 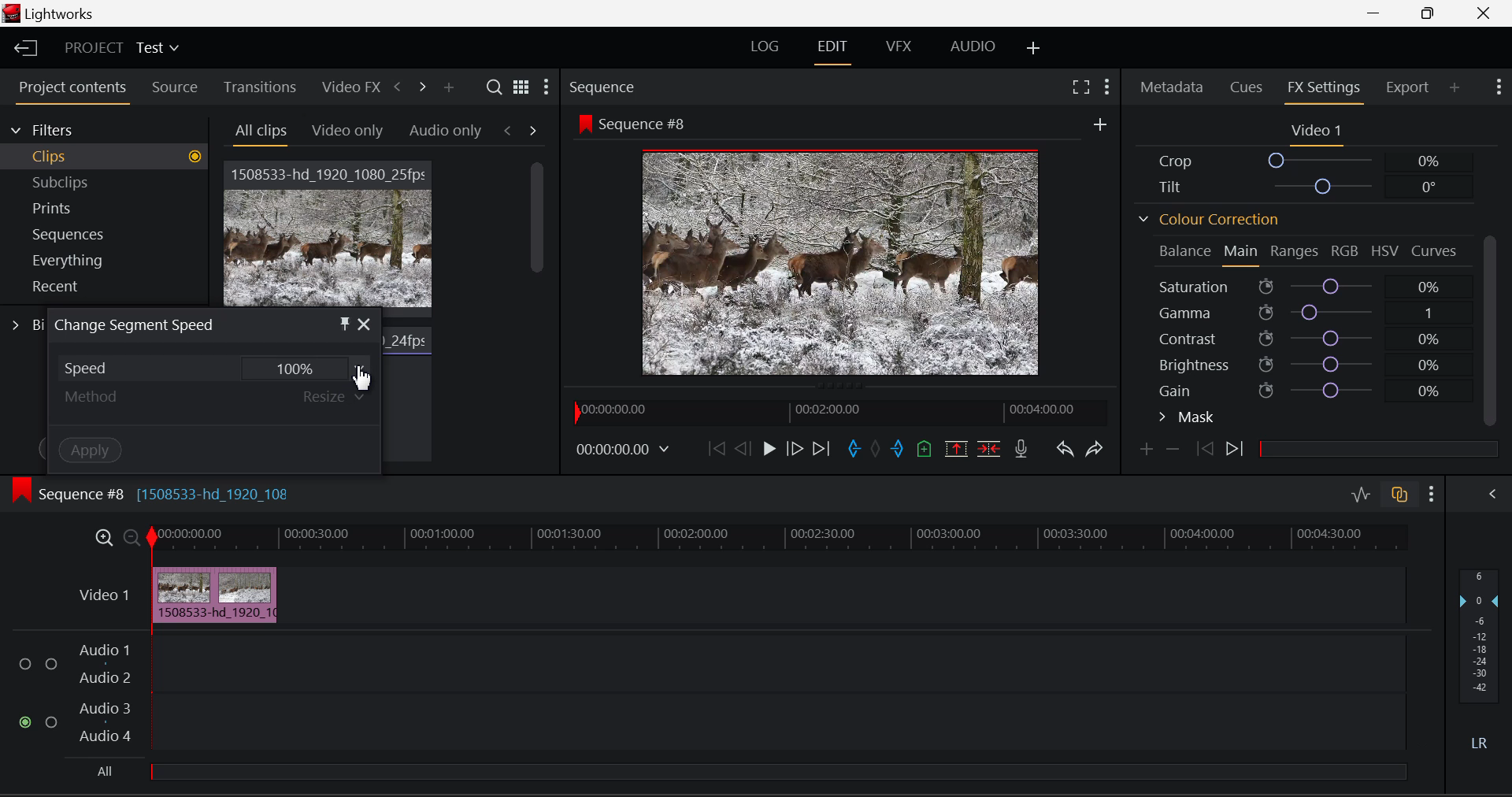 What do you see at coordinates (1080, 89) in the screenshot?
I see `Full Screen` at bounding box center [1080, 89].